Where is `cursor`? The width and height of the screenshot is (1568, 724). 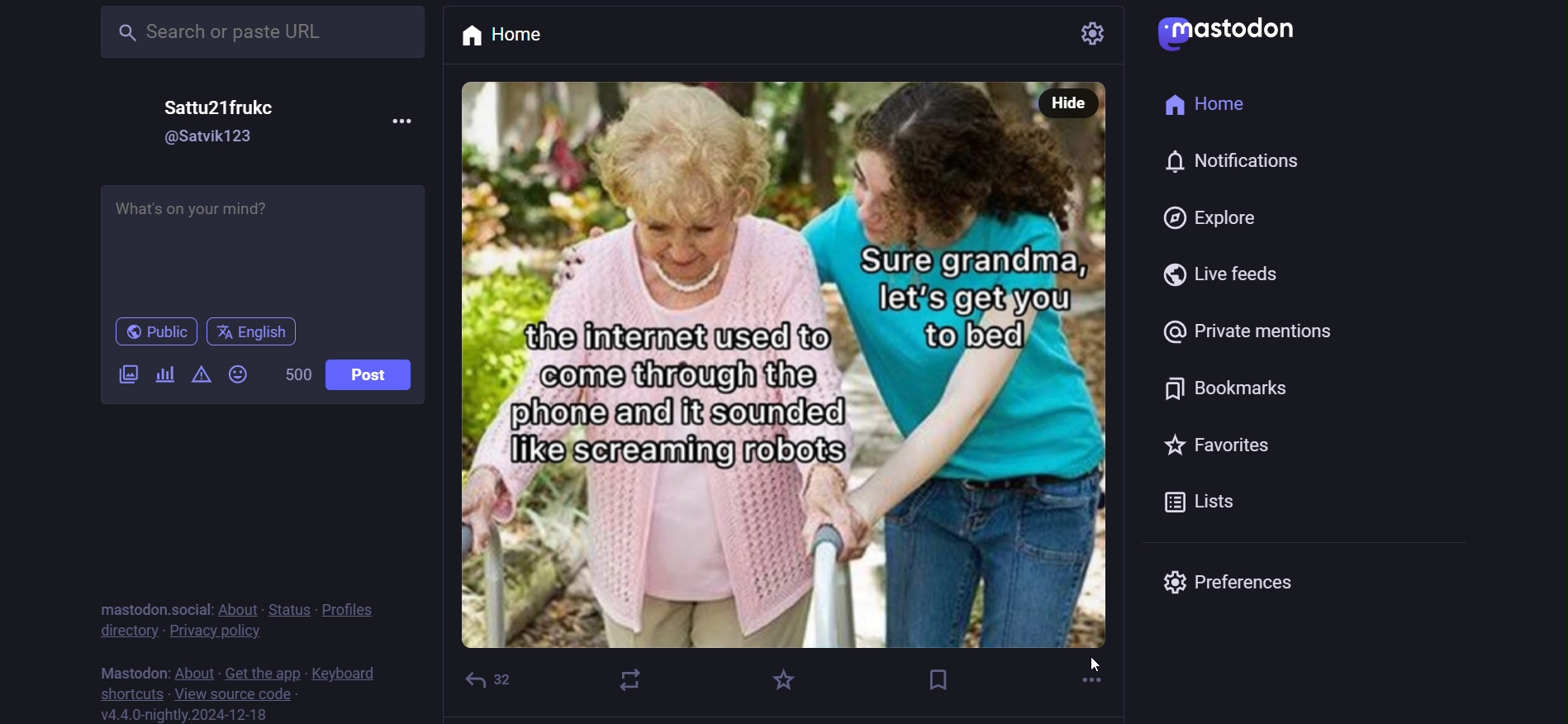
cursor is located at coordinates (1099, 666).